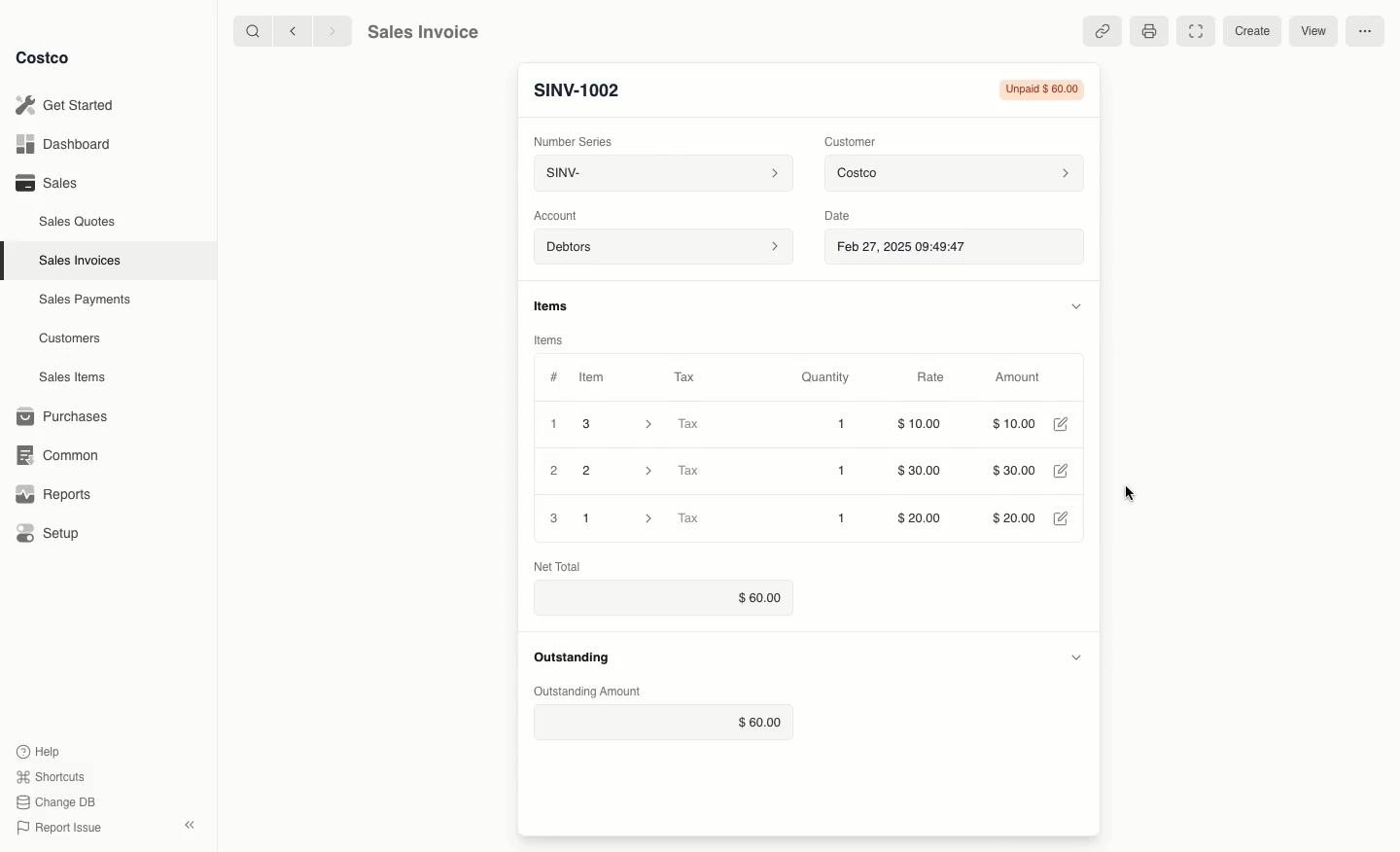 This screenshot has height=852, width=1400. I want to click on 2, so click(555, 472).